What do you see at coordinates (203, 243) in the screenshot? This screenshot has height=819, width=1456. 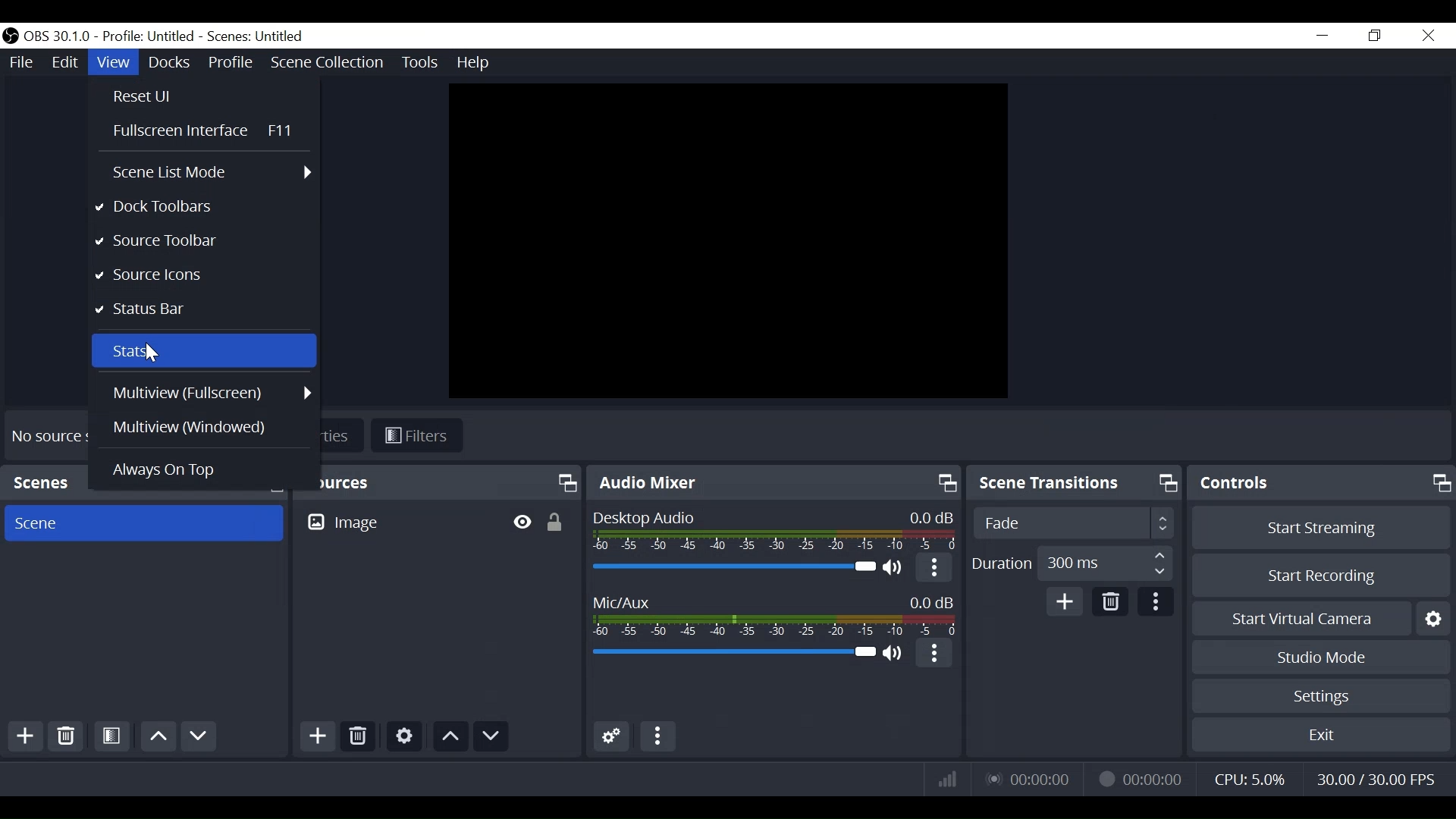 I see `(un)check Source Toolbar` at bounding box center [203, 243].